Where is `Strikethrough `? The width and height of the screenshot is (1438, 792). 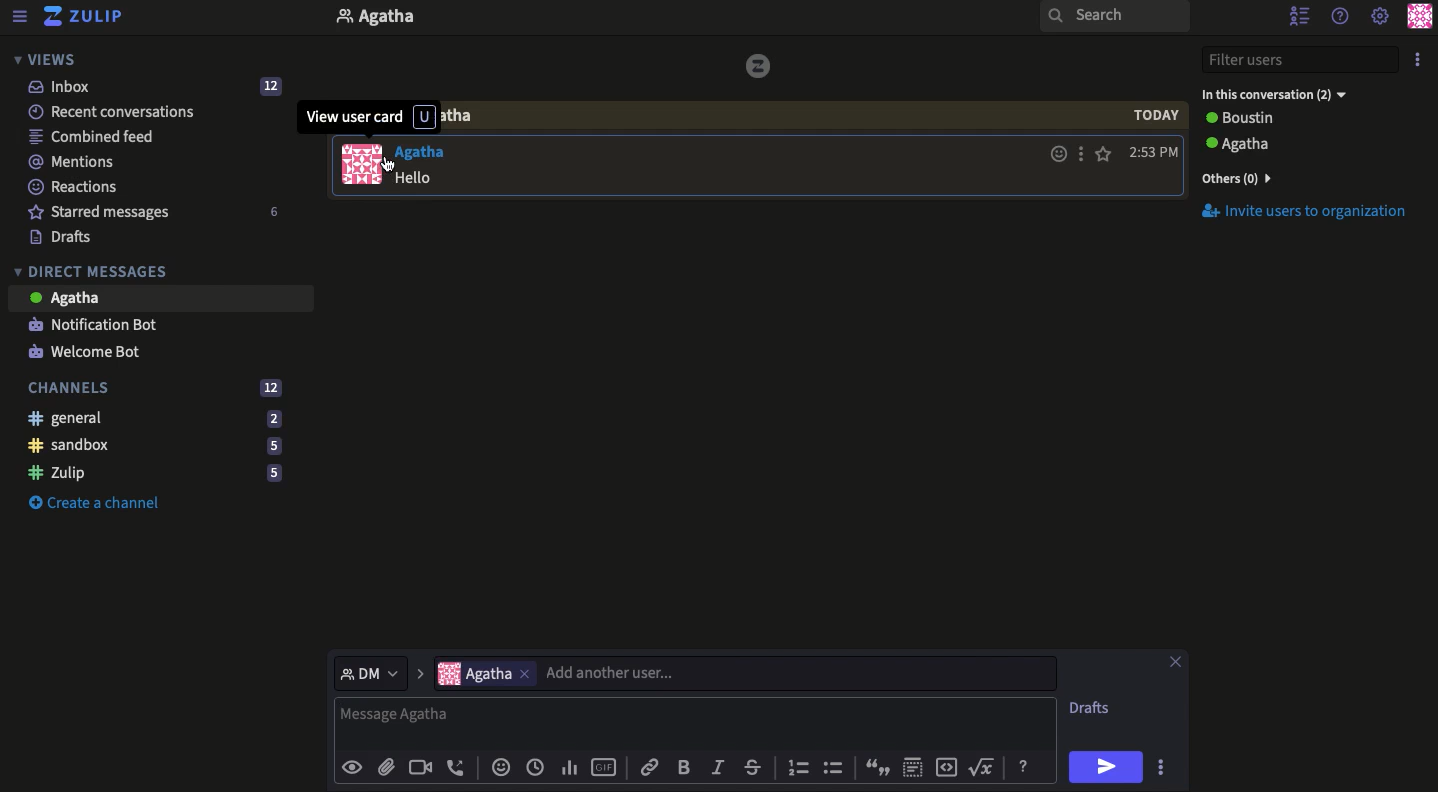 Strikethrough  is located at coordinates (756, 766).